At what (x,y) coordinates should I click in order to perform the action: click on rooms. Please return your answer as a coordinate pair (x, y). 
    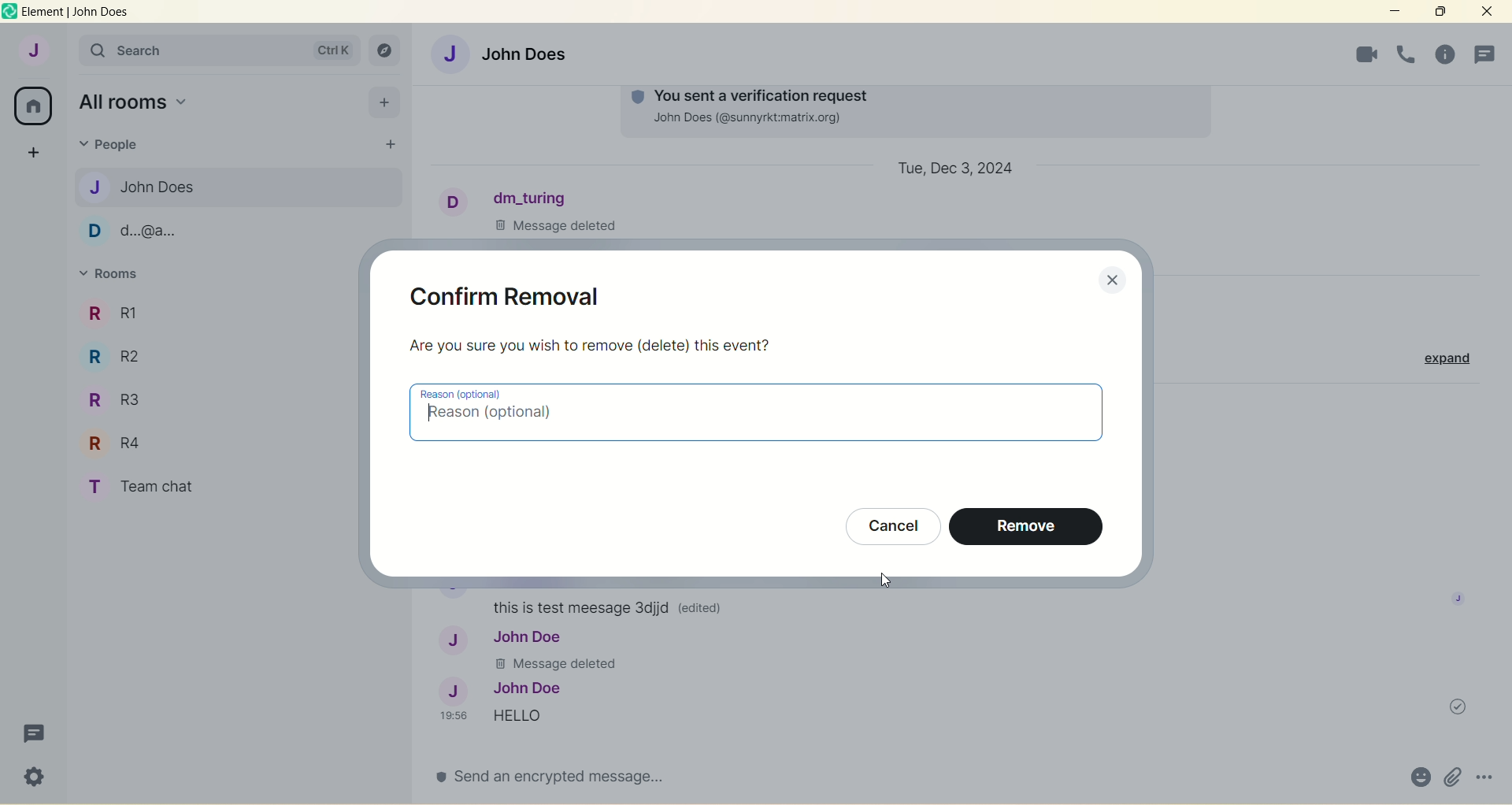
    Looking at the image, I should click on (114, 275).